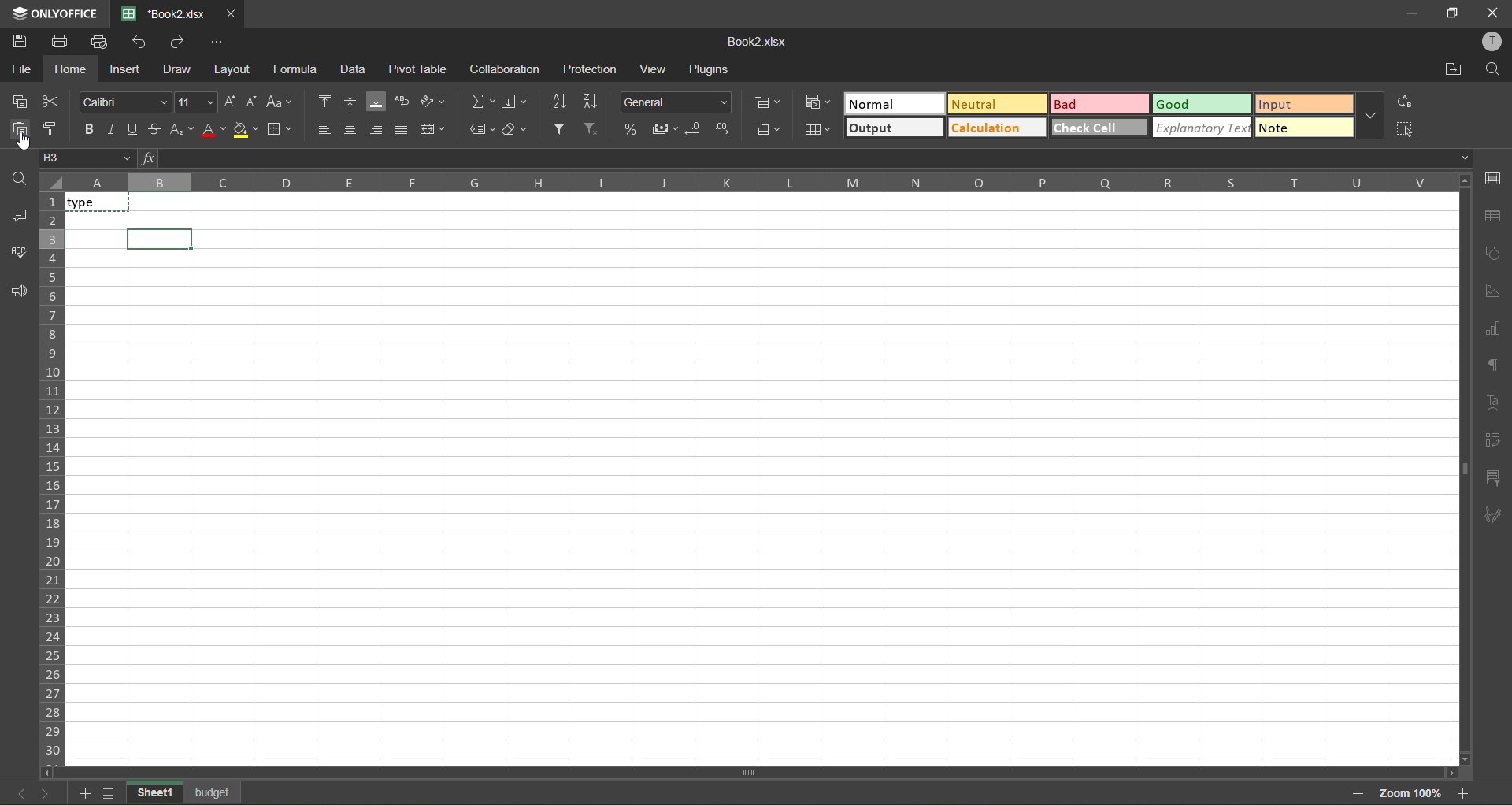  Describe the element at coordinates (1494, 251) in the screenshot. I see `shapes` at that location.